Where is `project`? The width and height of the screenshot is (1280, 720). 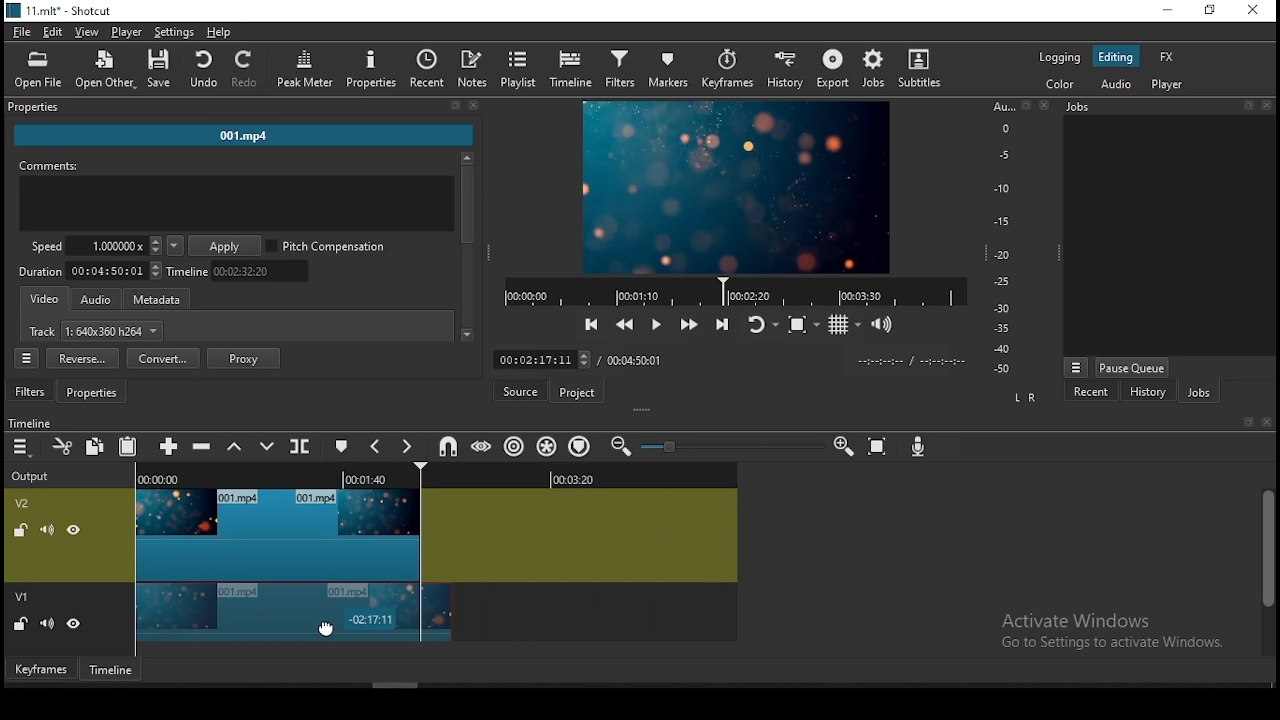
project is located at coordinates (579, 392).